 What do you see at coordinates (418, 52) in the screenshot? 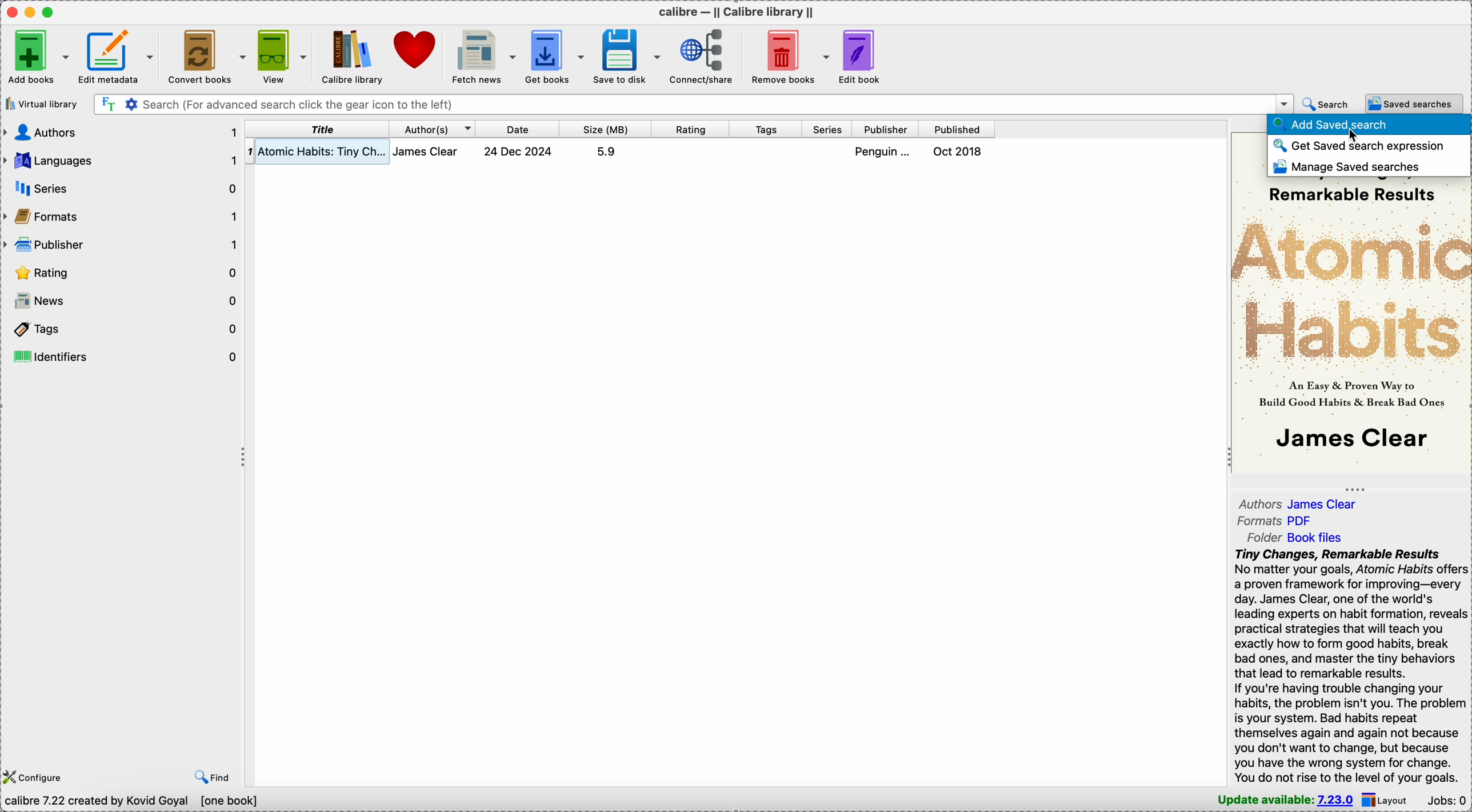
I see `donate` at bounding box center [418, 52].